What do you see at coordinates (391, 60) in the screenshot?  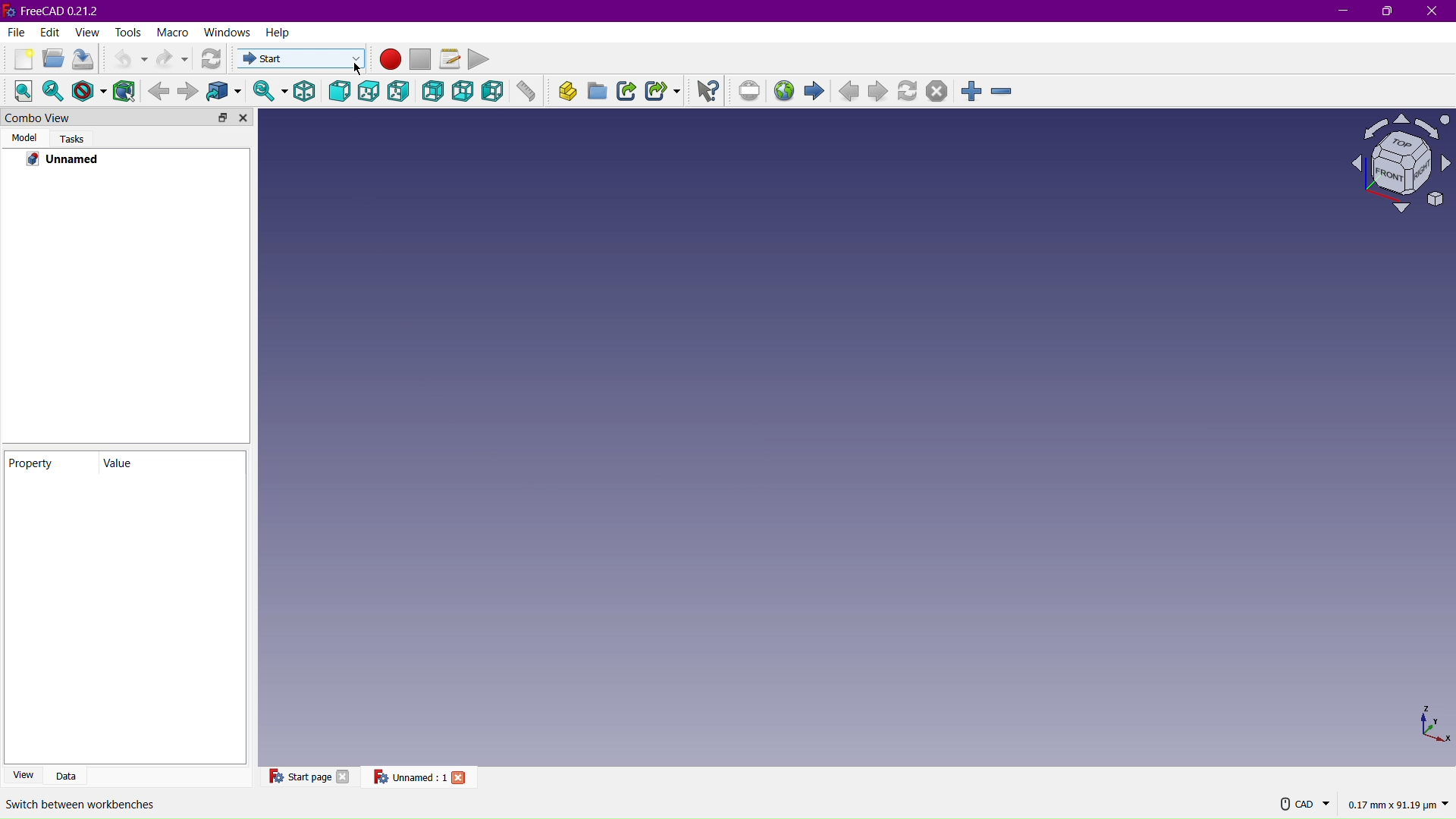 I see `Record Macro` at bounding box center [391, 60].